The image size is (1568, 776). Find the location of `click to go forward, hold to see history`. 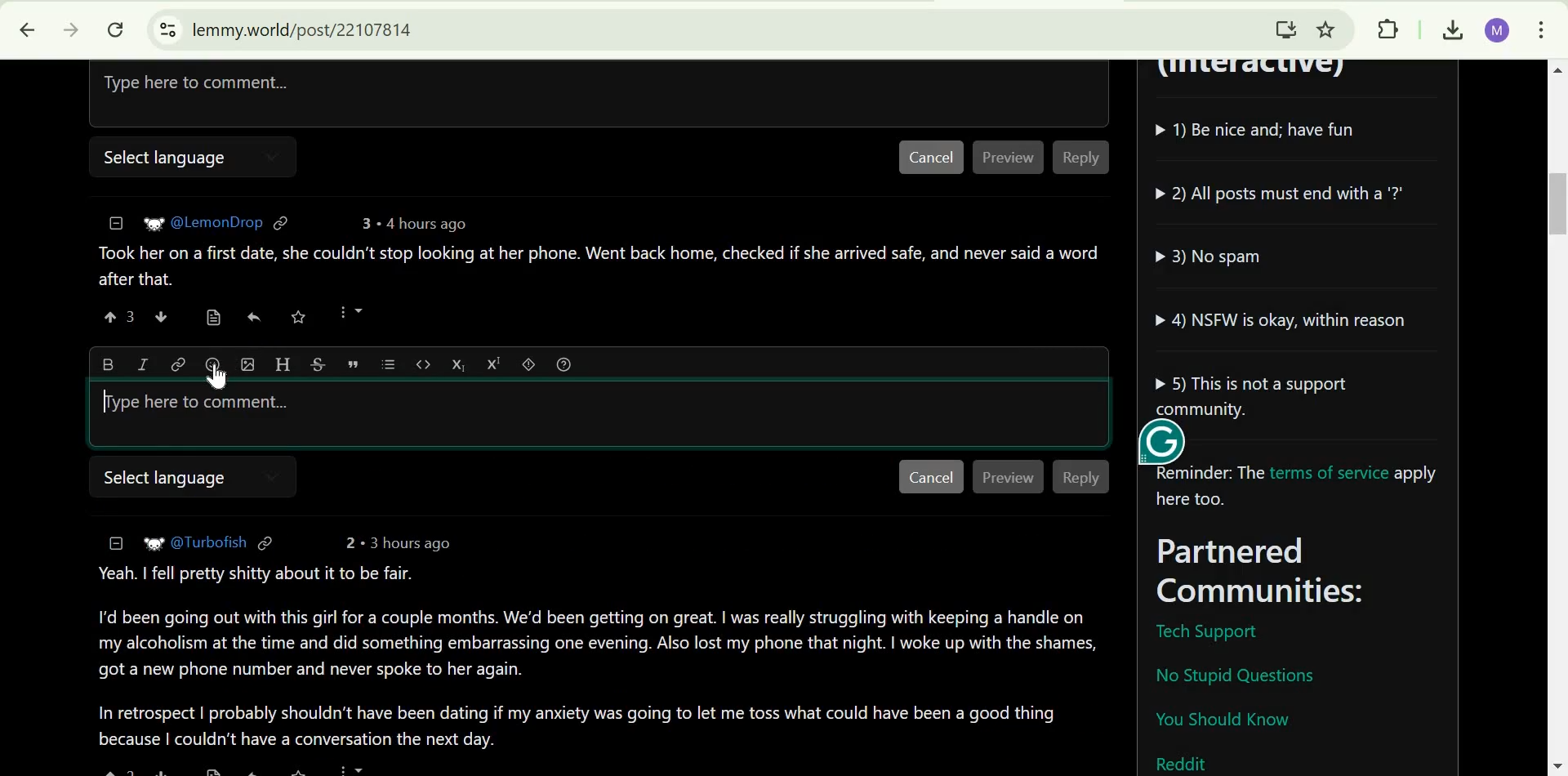

click to go forward, hold to see history is located at coordinates (67, 30).